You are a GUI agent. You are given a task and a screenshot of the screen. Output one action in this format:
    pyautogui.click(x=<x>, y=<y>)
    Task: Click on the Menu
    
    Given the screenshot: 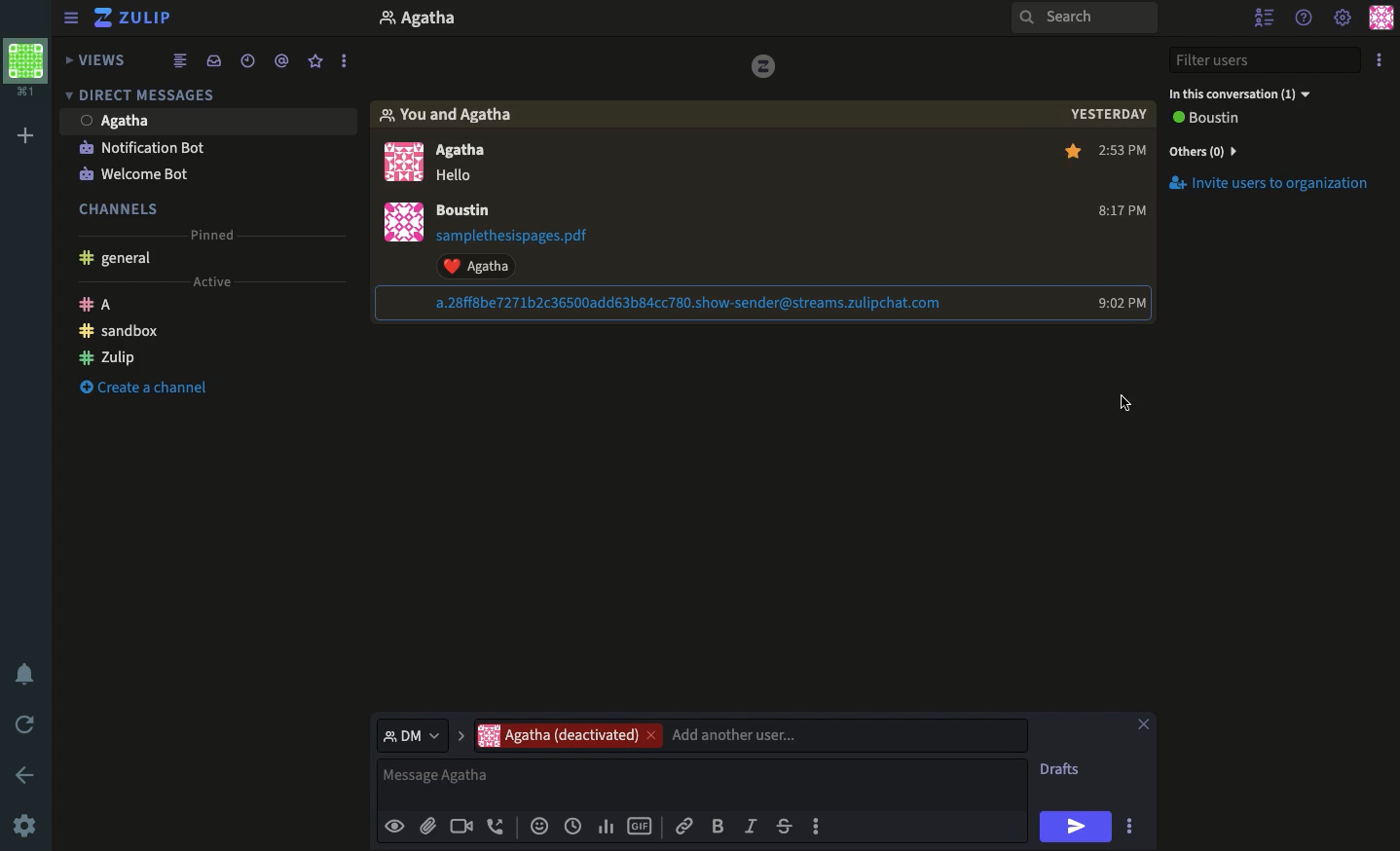 What is the action you would take?
    pyautogui.click(x=70, y=18)
    